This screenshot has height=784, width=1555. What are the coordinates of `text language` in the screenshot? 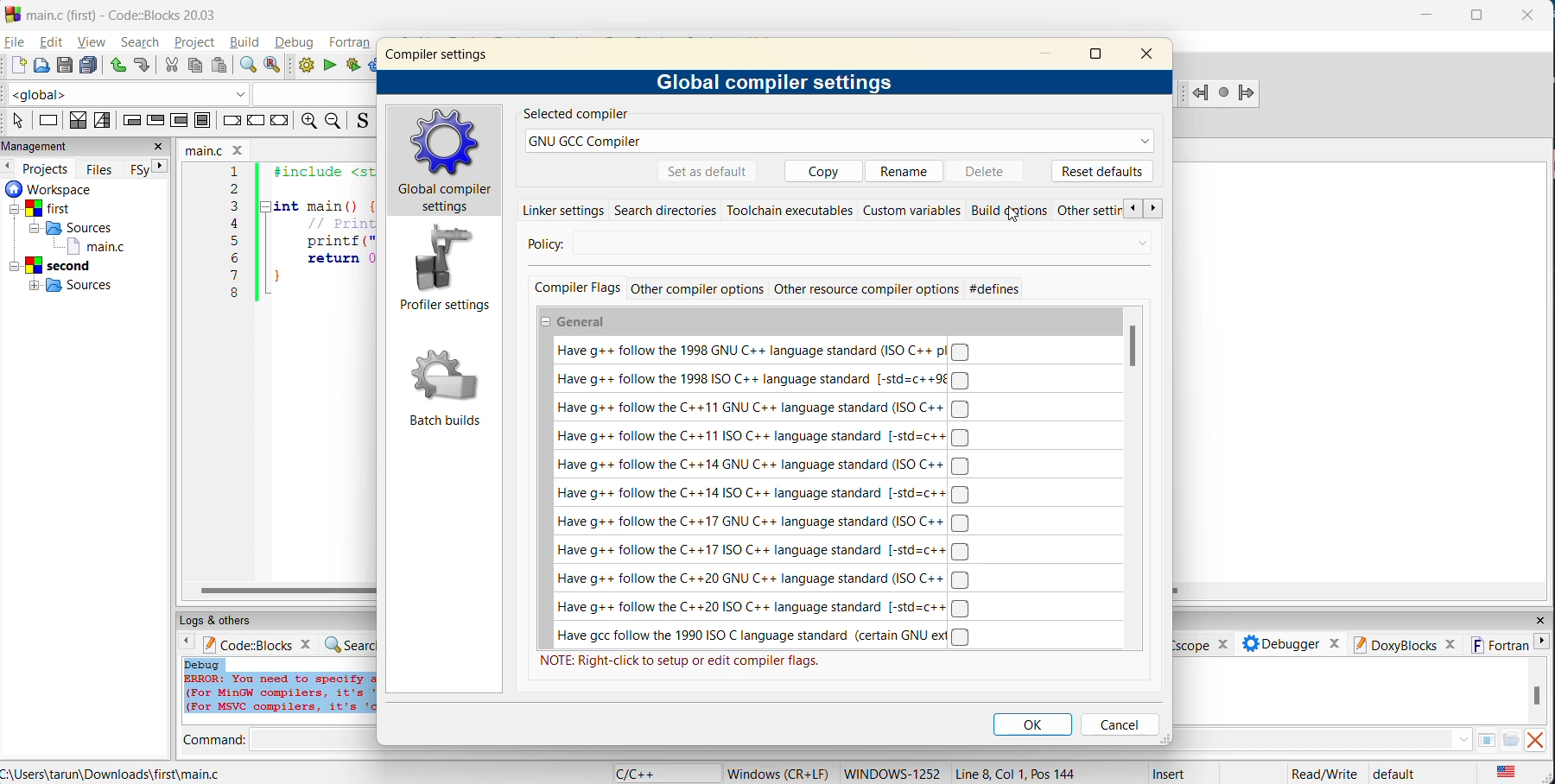 It's located at (1509, 774).